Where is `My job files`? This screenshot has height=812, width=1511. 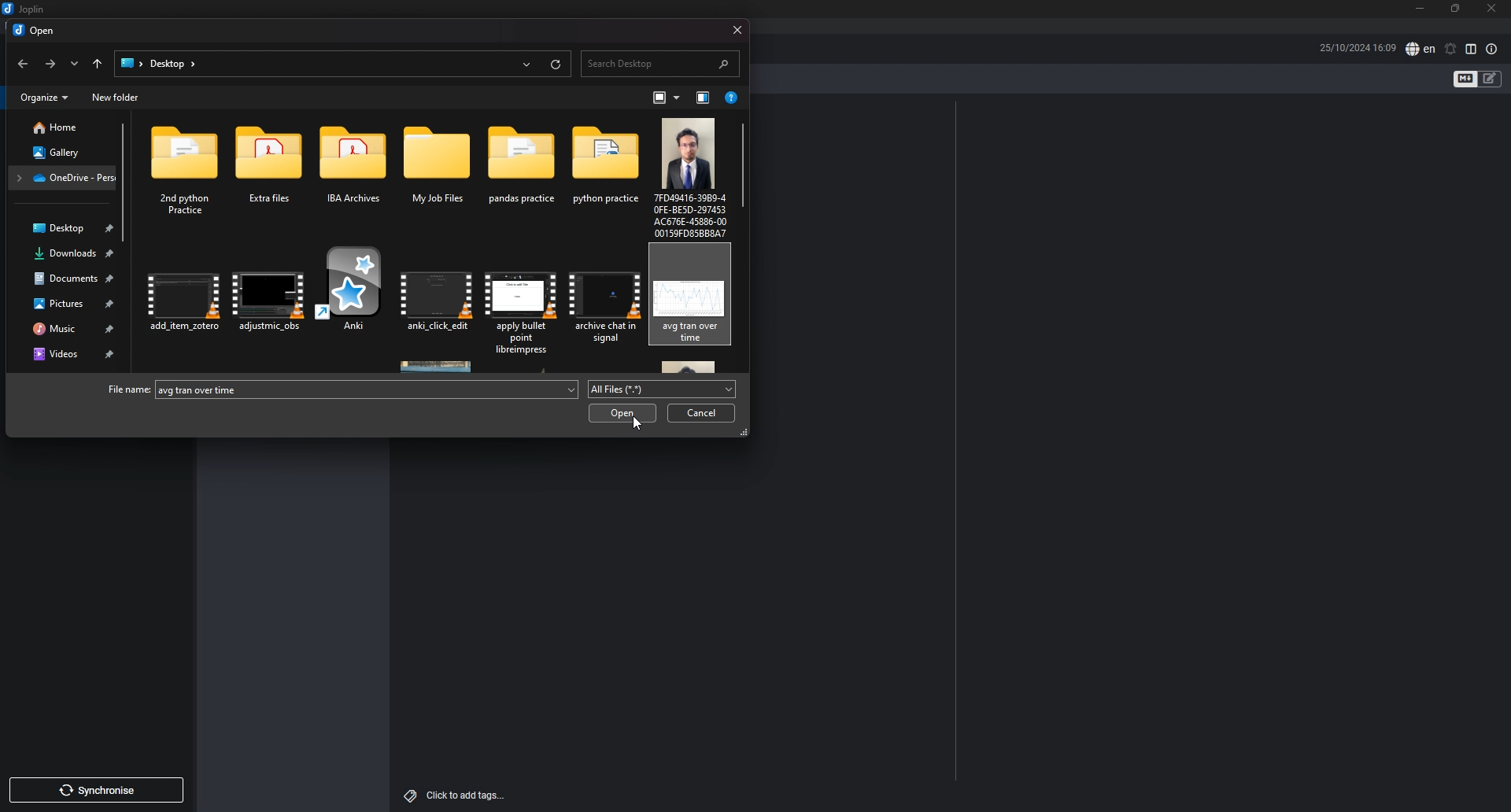
My job files is located at coordinates (435, 174).